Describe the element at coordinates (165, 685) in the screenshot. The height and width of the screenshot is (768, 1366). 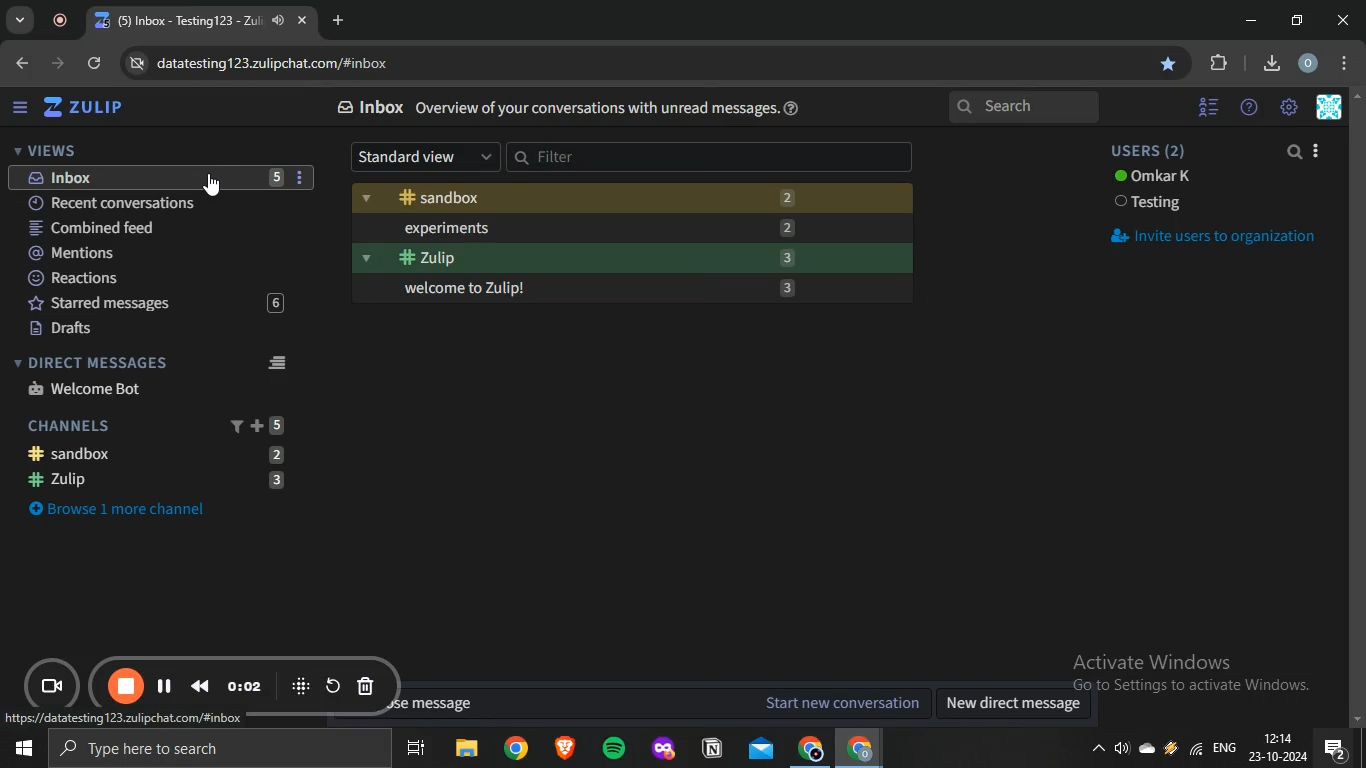
I see `play recording` at that location.